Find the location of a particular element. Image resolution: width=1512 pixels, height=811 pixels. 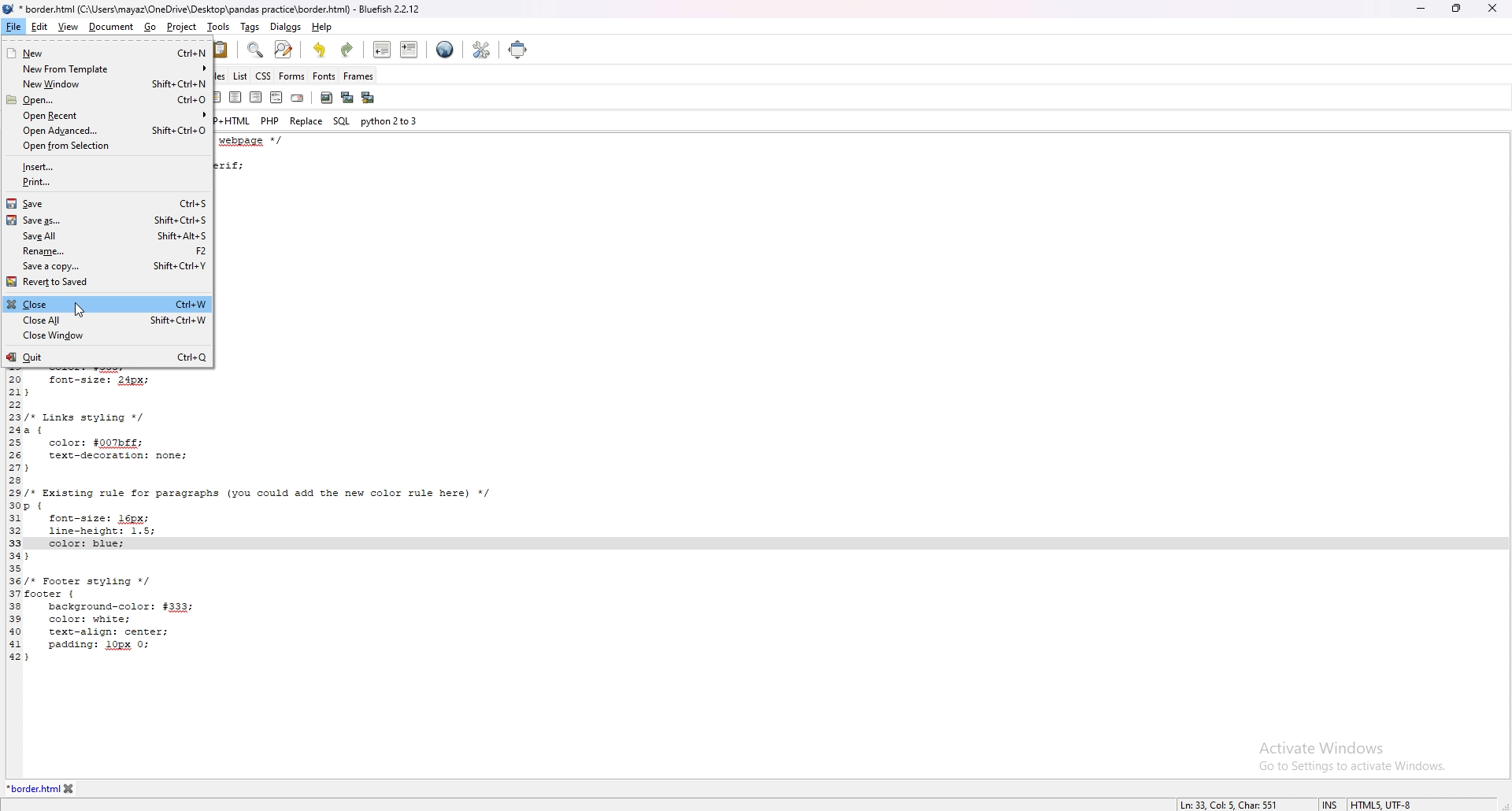

php+html is located at coordinates (235, 120).